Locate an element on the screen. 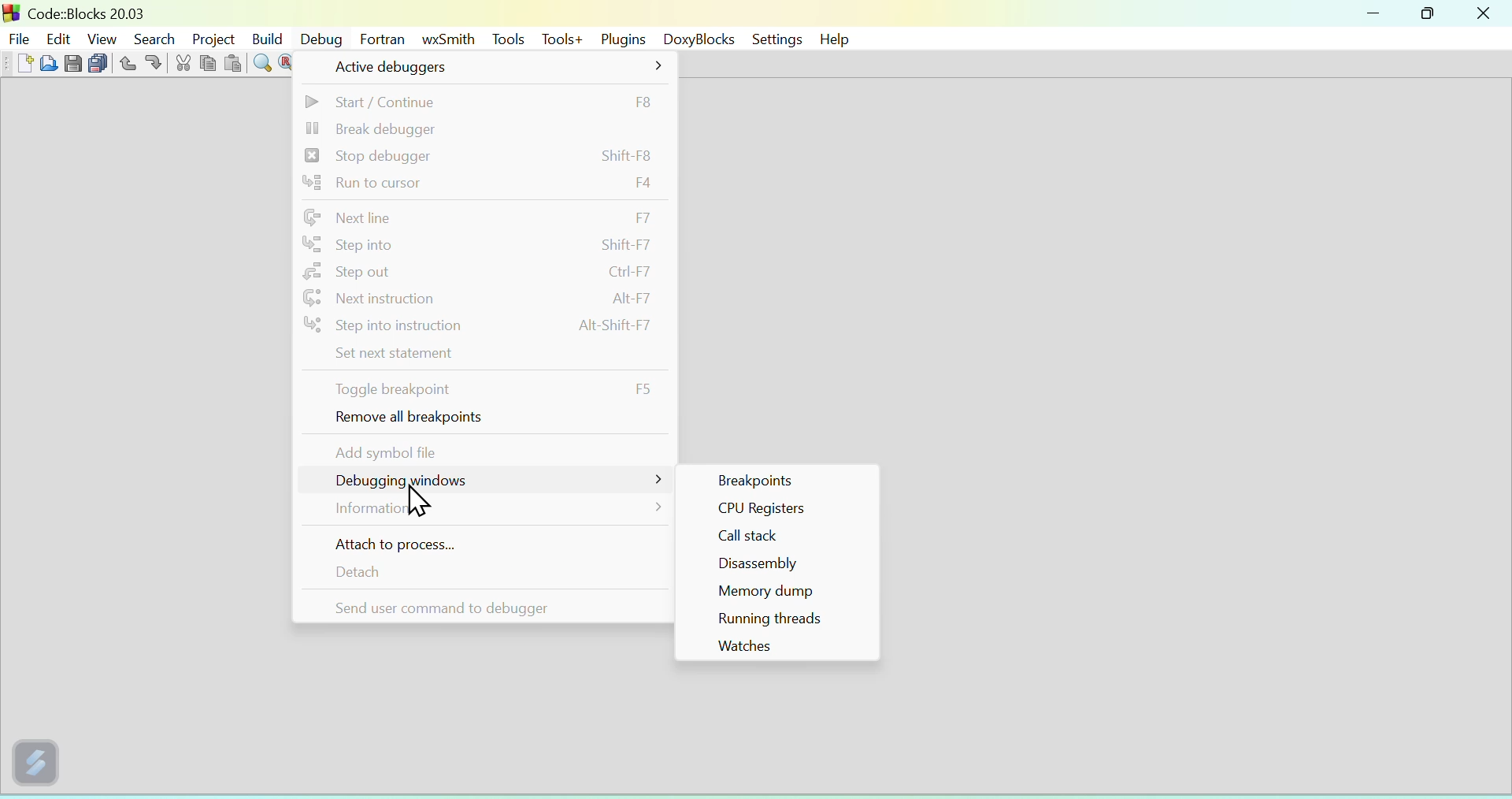 The height and width of the screenshot is (799, 1512). Search is located at coordinates (151, 38).